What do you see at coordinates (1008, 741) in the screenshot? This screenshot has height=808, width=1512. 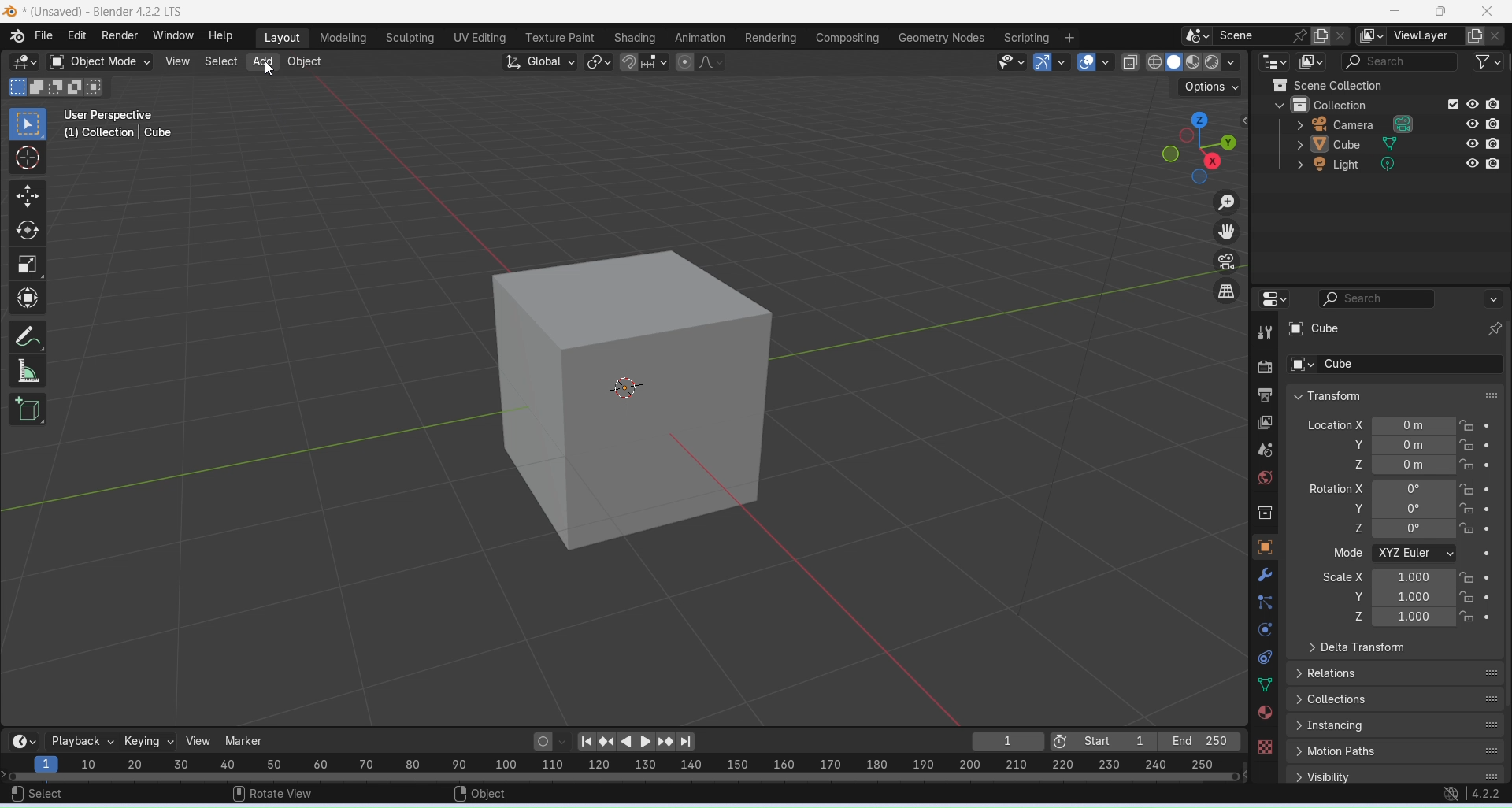 I see `1` at bounding box center [1008, 741].